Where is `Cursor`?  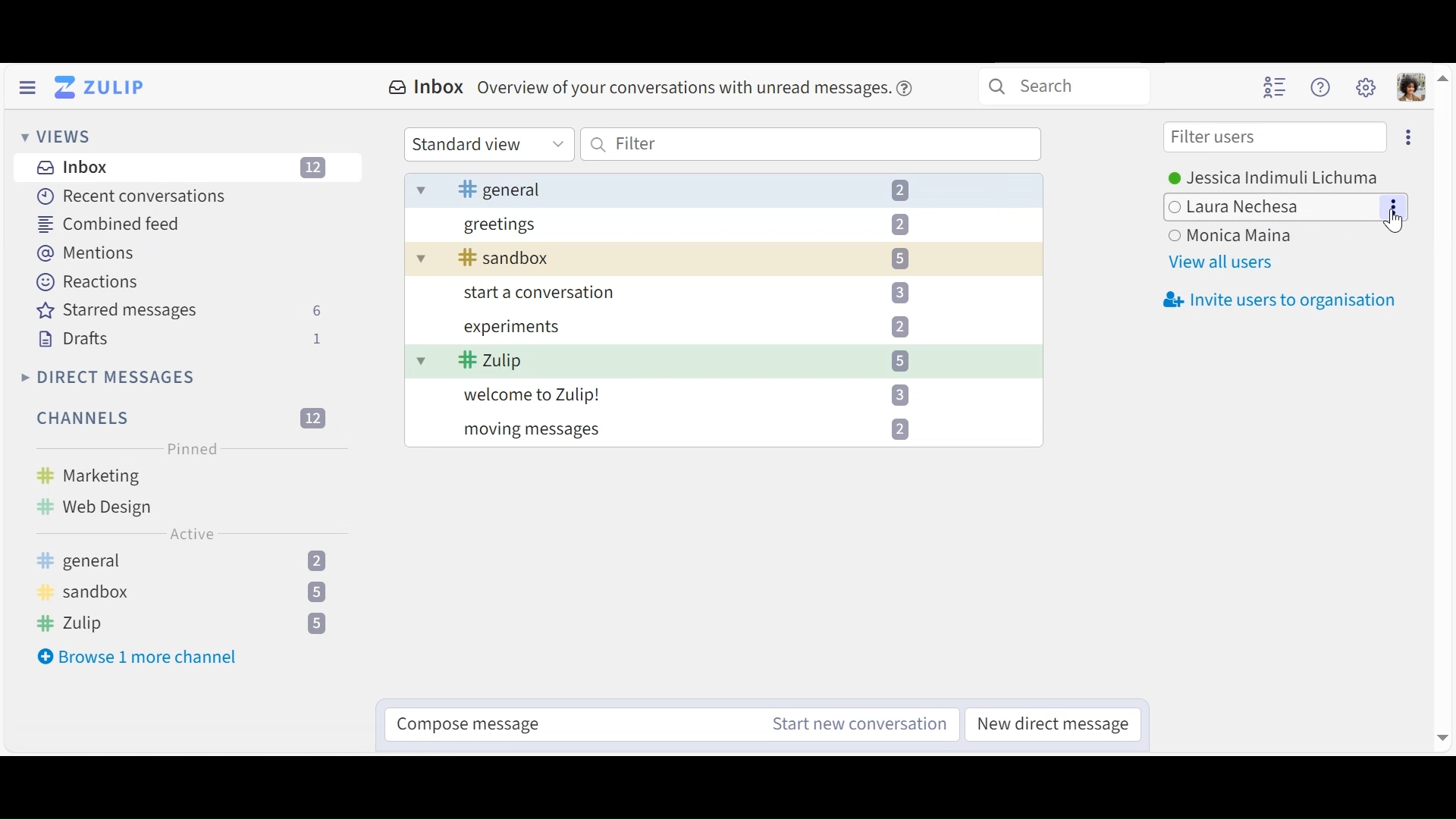 Cursor is located at coordinates (1395, 224).